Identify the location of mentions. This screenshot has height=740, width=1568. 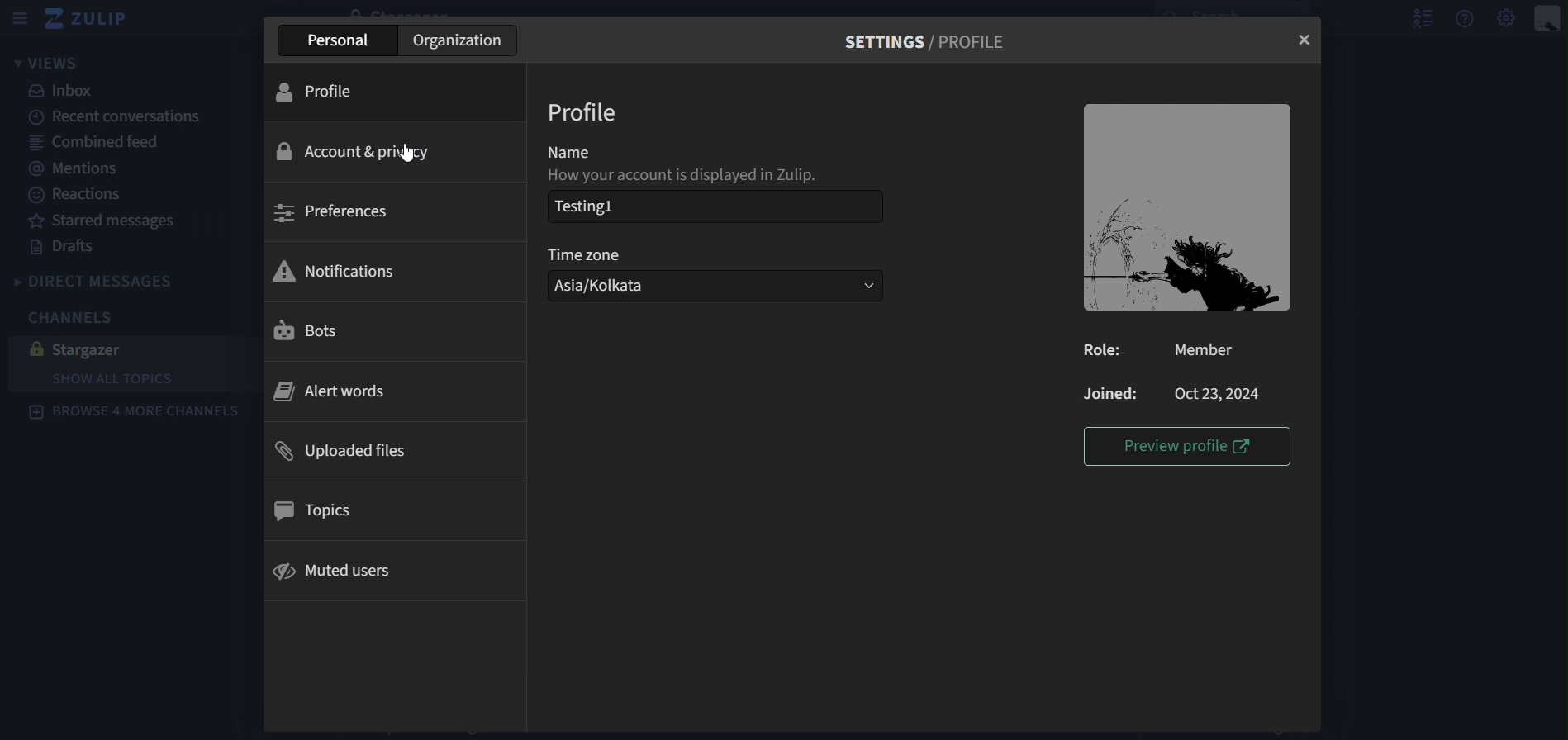
(91, 172).